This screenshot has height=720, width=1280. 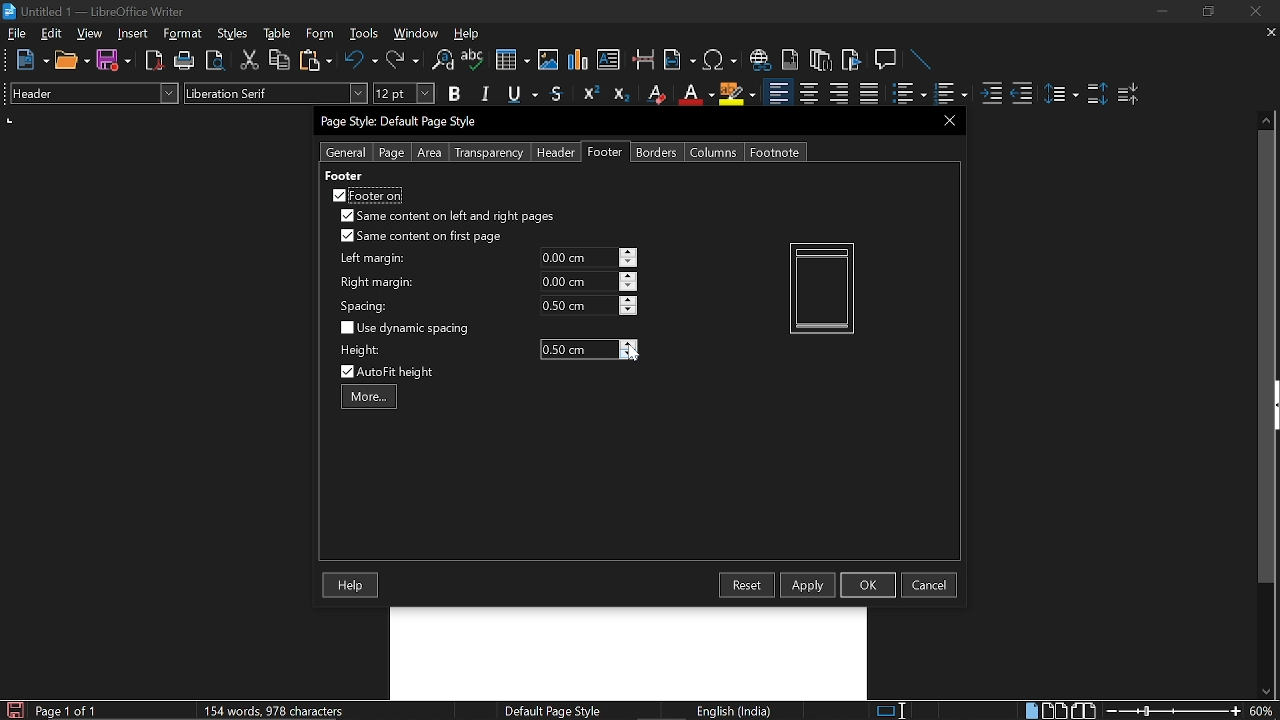 I want to click on Use dynamic spacing, so click(x=408, y=328).